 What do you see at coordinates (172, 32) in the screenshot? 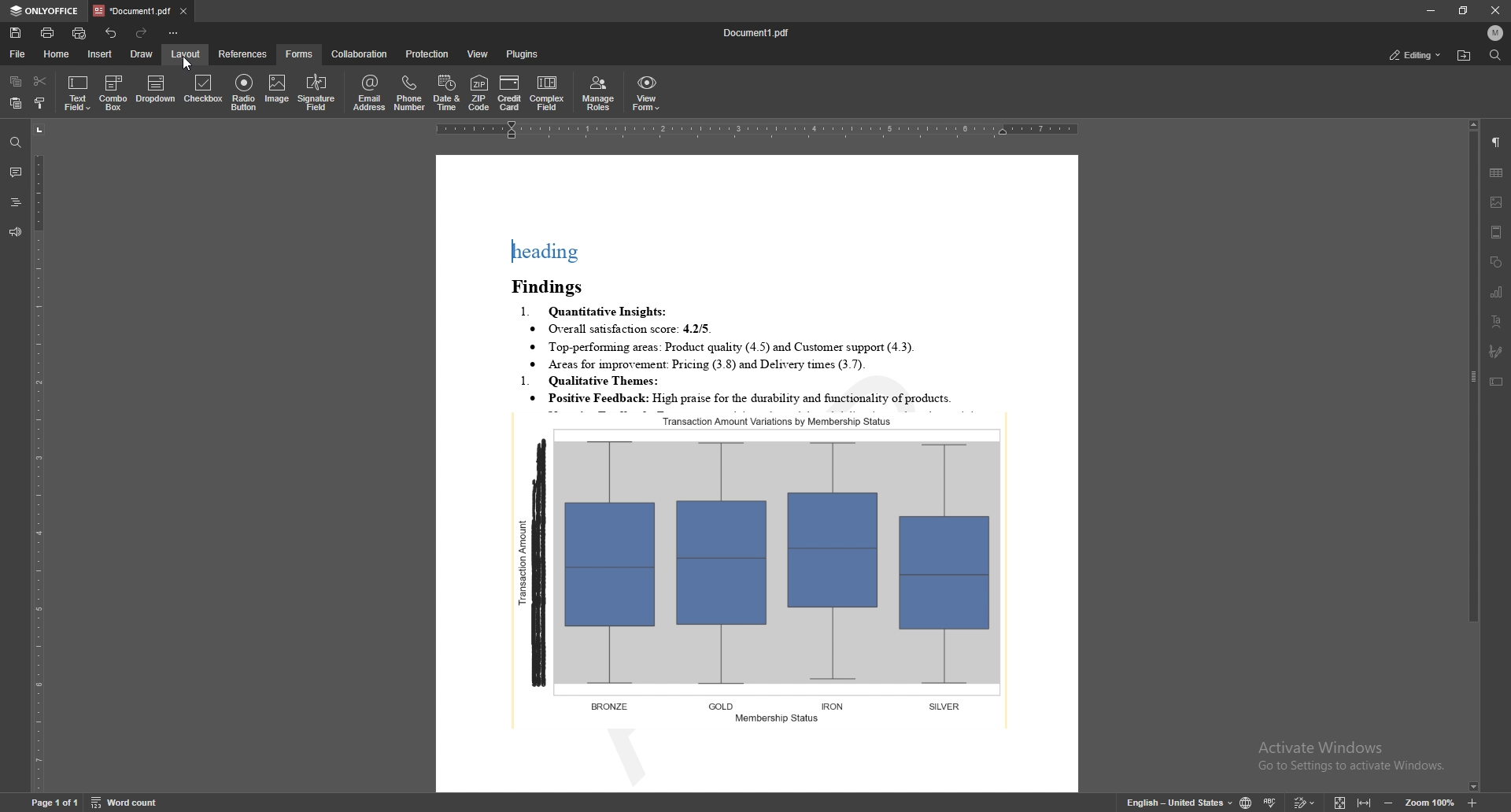
I see `customize toolbar` at bounding box center [172, 32].